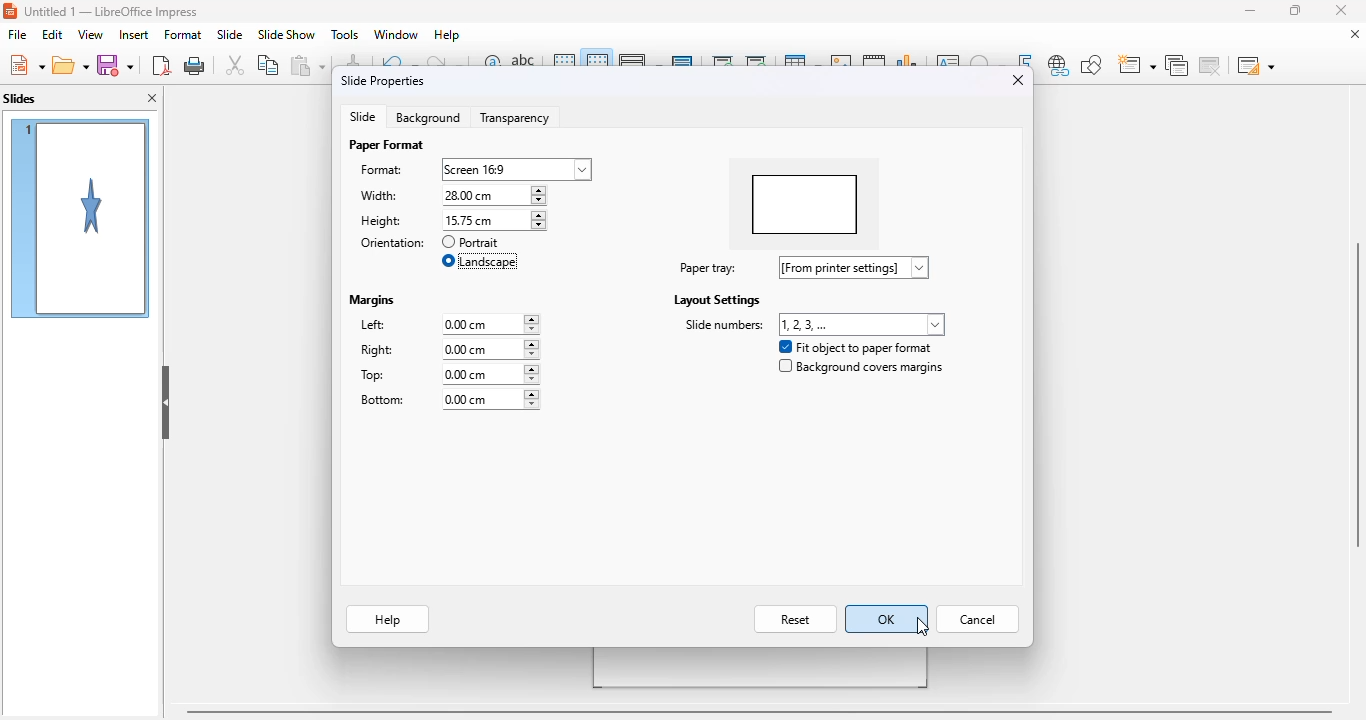 The width and height of the screenshot is (1366, 720). I want to click on view, so click(90, 35).